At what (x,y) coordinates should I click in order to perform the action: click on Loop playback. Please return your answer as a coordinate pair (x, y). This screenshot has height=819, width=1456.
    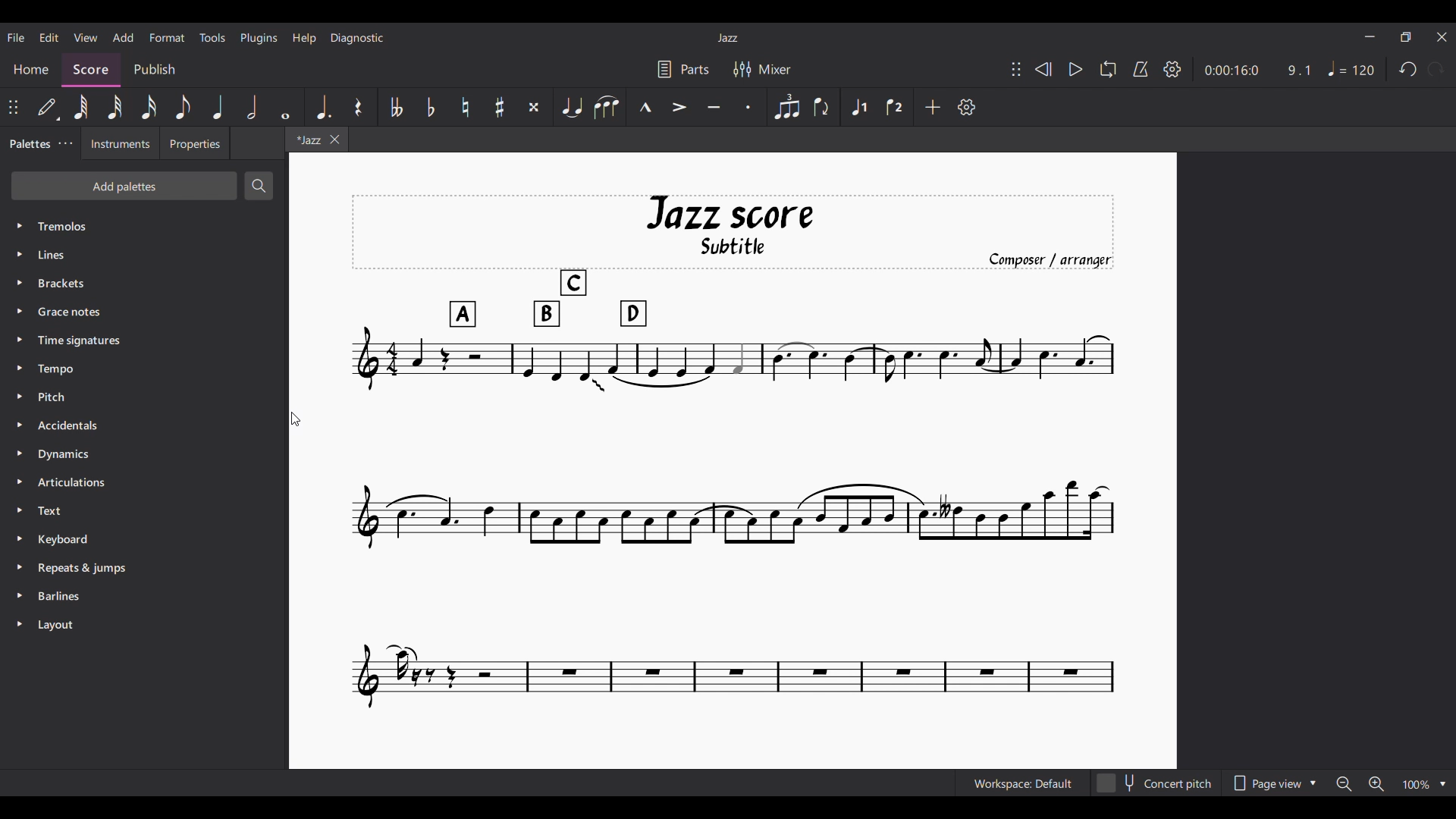
    Looking at the image, I should click on (1108, 69).